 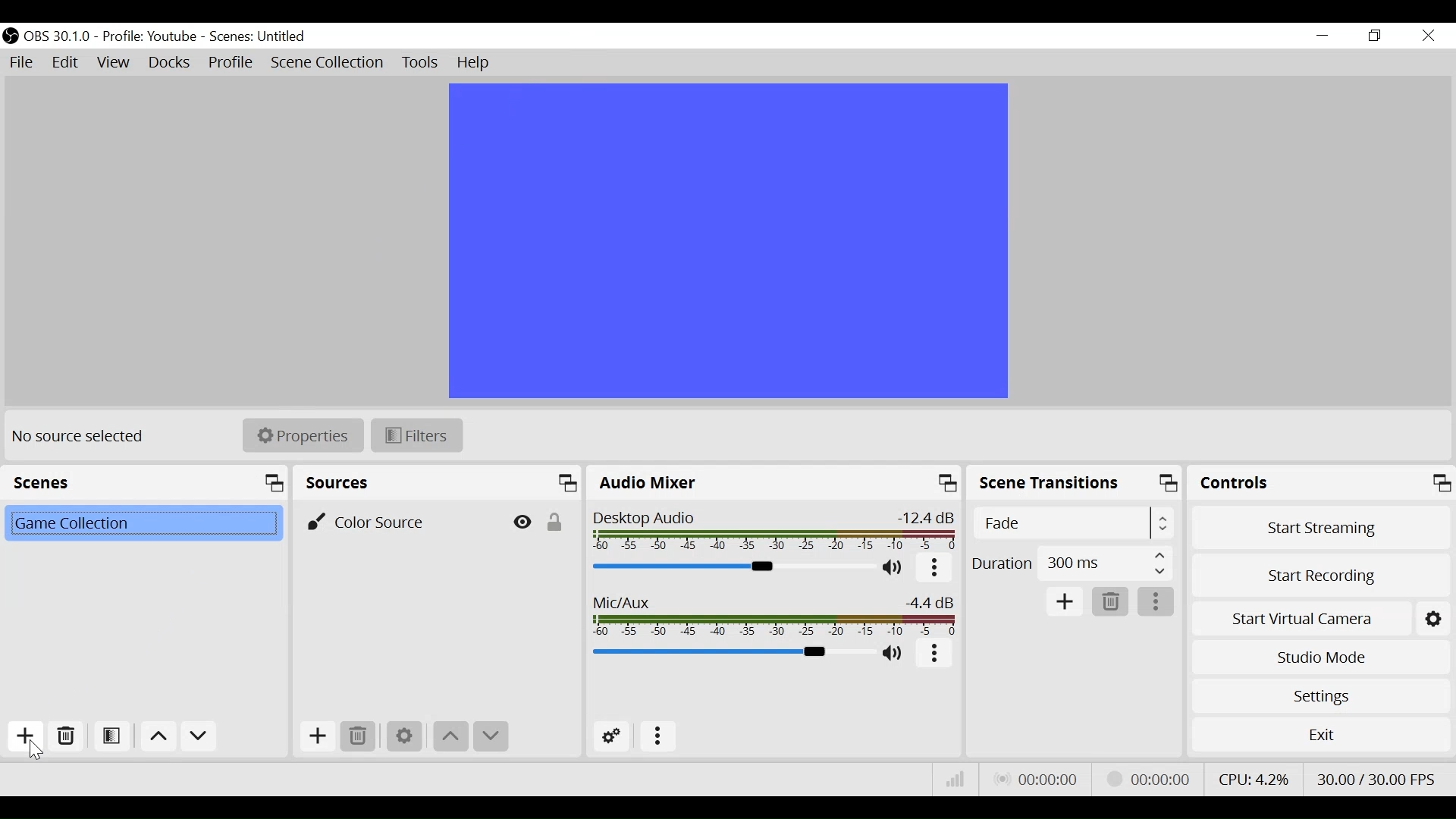 What do you see at coordinates (775, 532) in the screenshot?
I see `Desktop Audio` at bounding box center [775, 532].